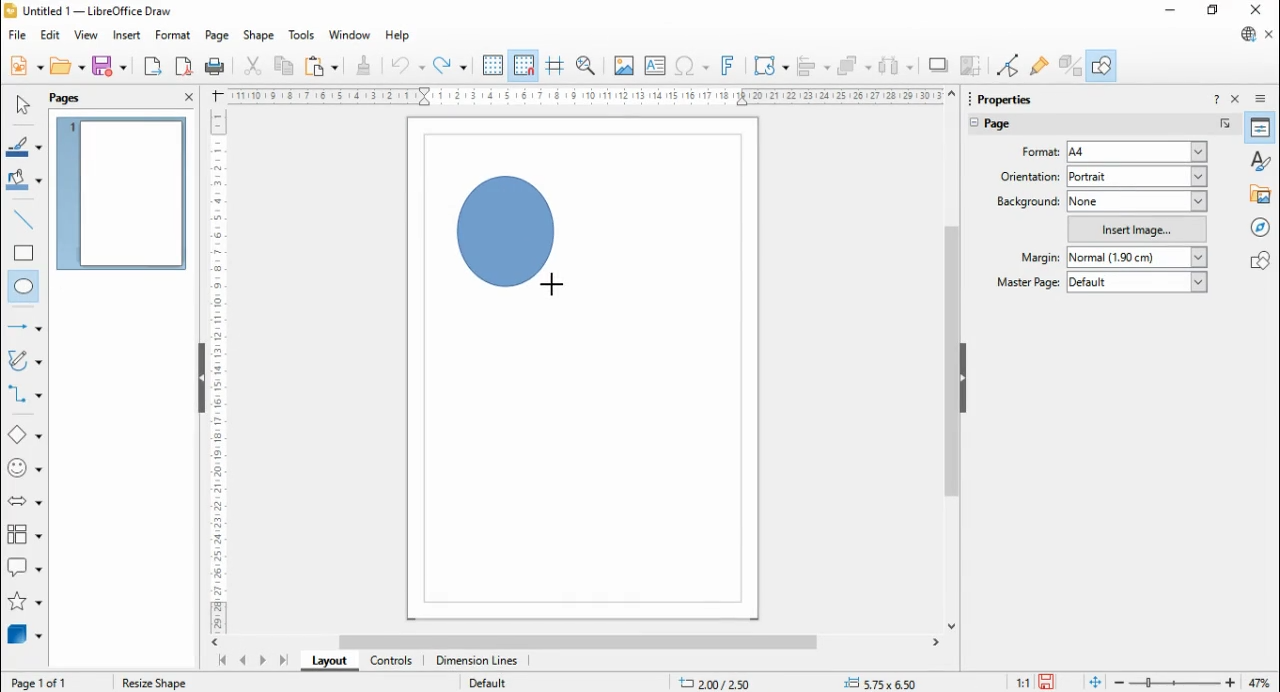  What do you see at coordinates (1010, 65) in the screenshot?
I see `toggle point edit mode` at bounding box center [1010, 65].